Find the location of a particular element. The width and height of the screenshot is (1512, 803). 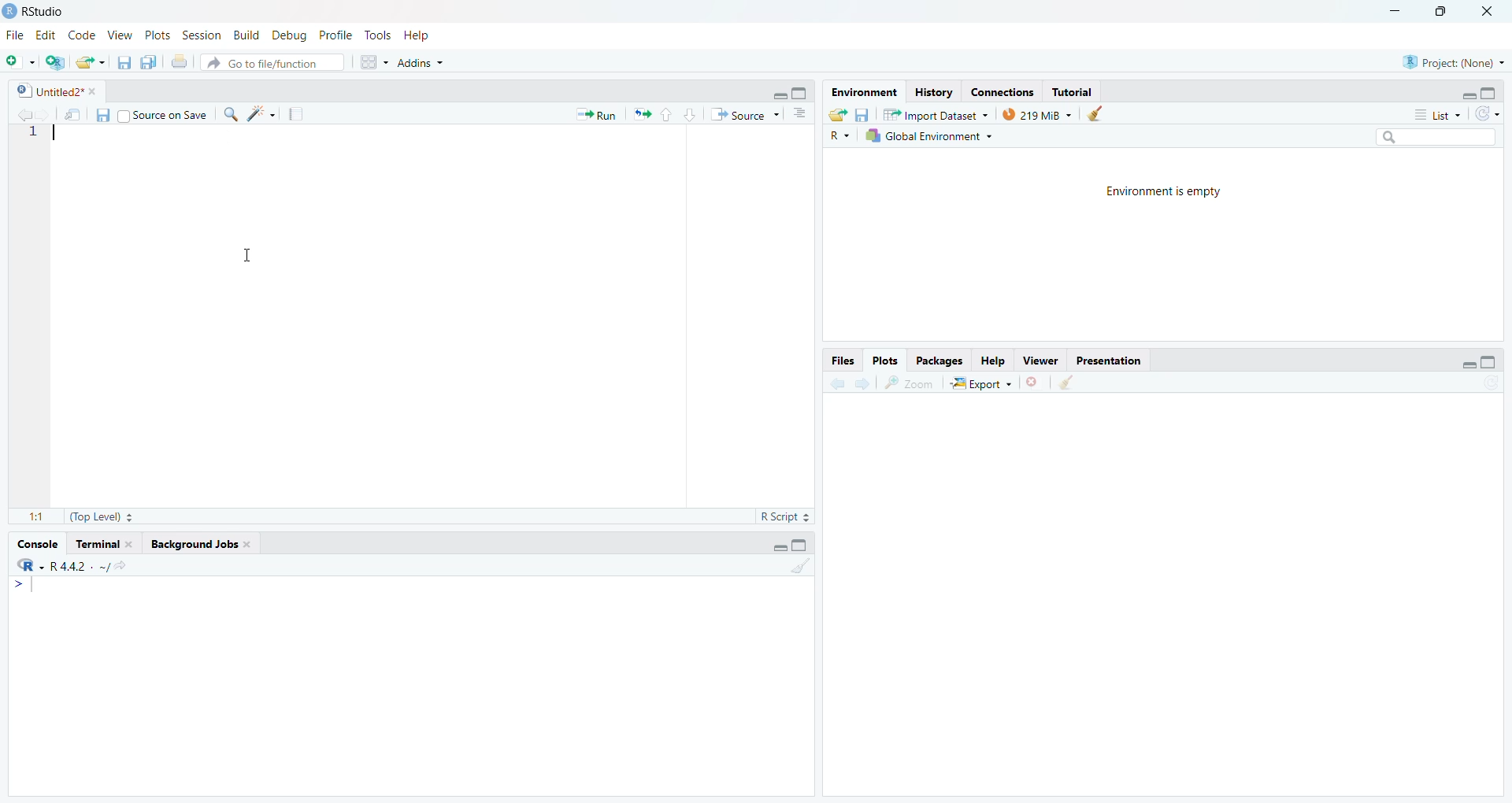

Session is located at coordinates (202, 35).